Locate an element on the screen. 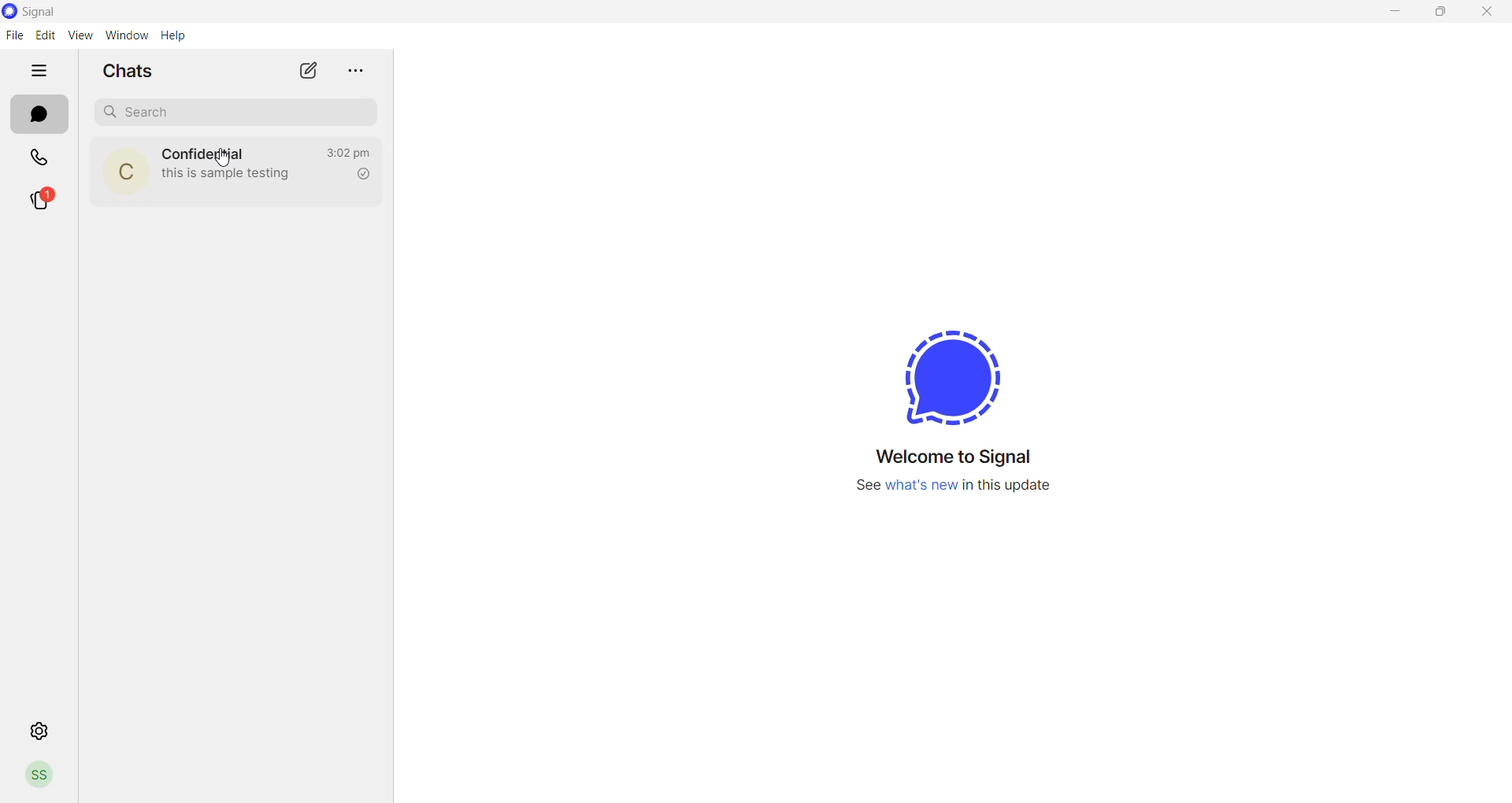 This screenshot has height=803, width=1512. stories is located at coordinates (46, 201).